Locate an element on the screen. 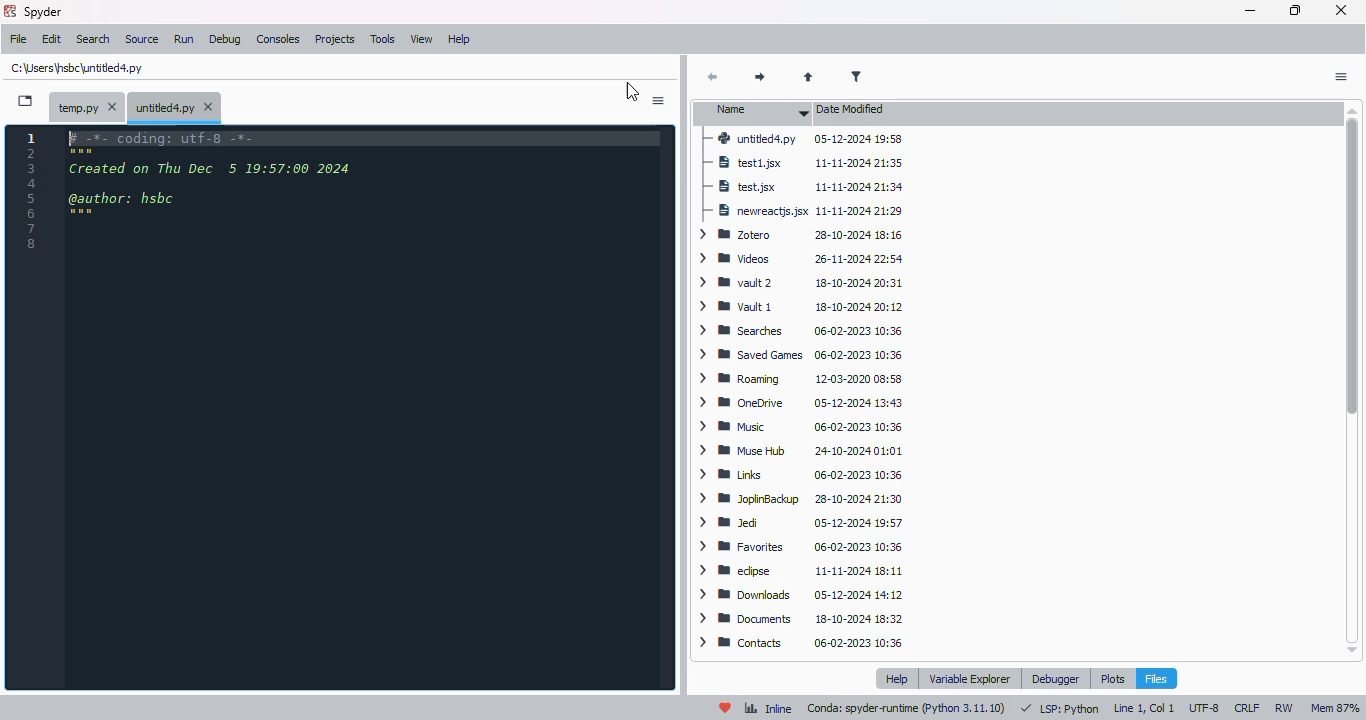  conda: spyder-runtime (python 3. 11. 10) is located at coordinates (908, 709).